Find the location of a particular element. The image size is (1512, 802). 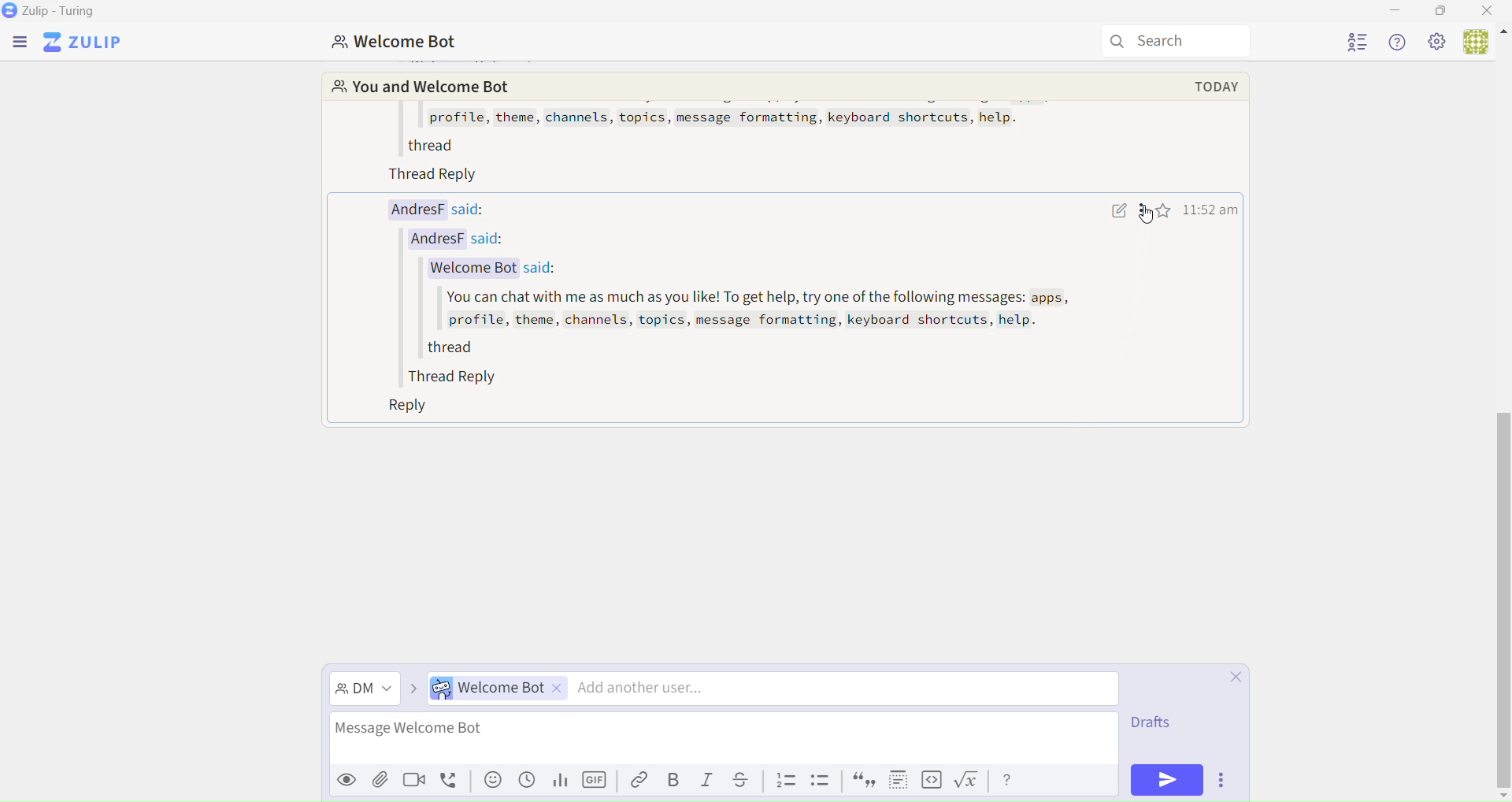

List is located at coordinates (821, 782).